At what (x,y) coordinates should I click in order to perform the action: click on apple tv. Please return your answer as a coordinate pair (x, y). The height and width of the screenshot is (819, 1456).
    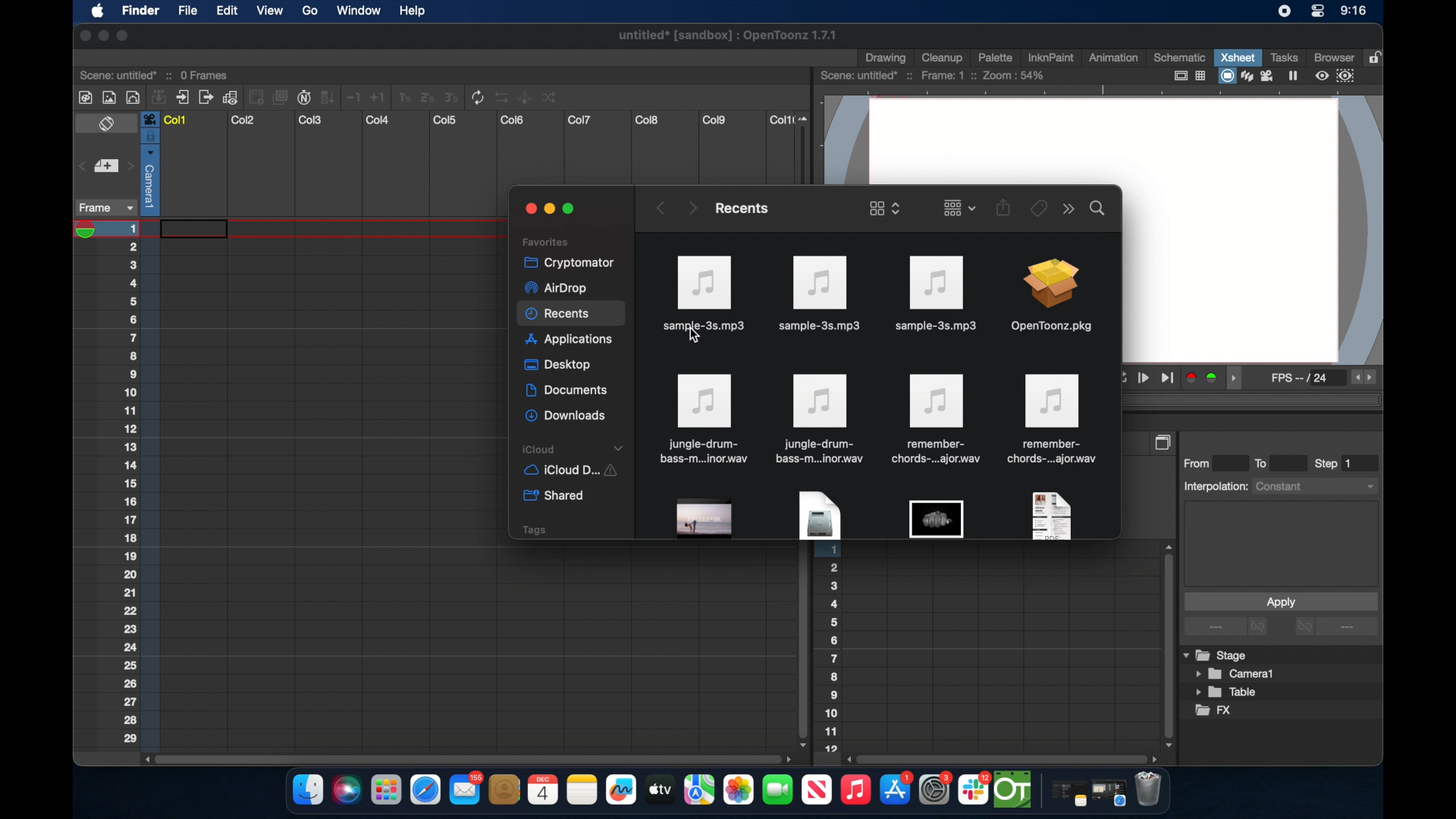
    Looking at the image, I should click on (659, 789).